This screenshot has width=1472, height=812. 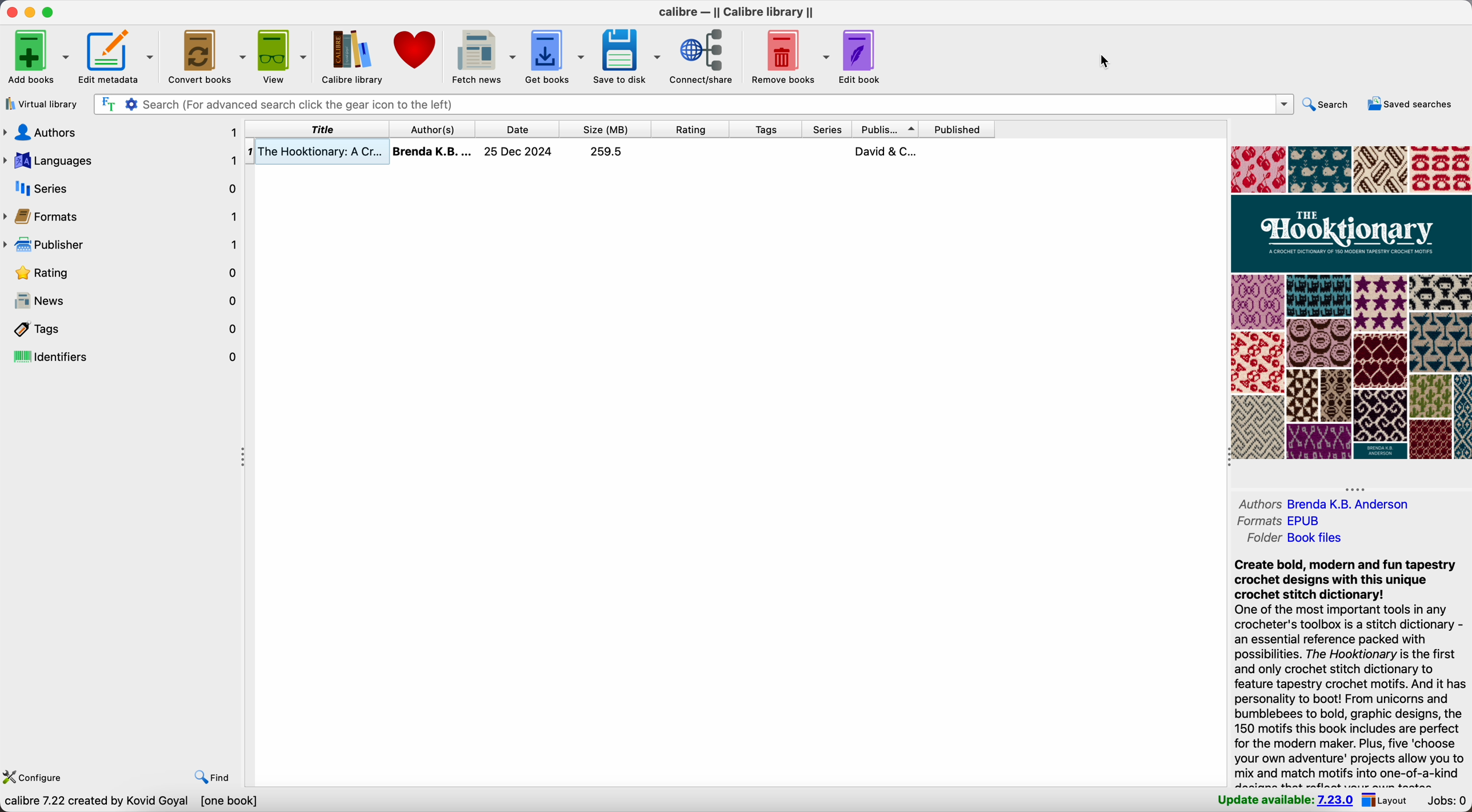 I want to click on layout, so click(x=1386, y=800).